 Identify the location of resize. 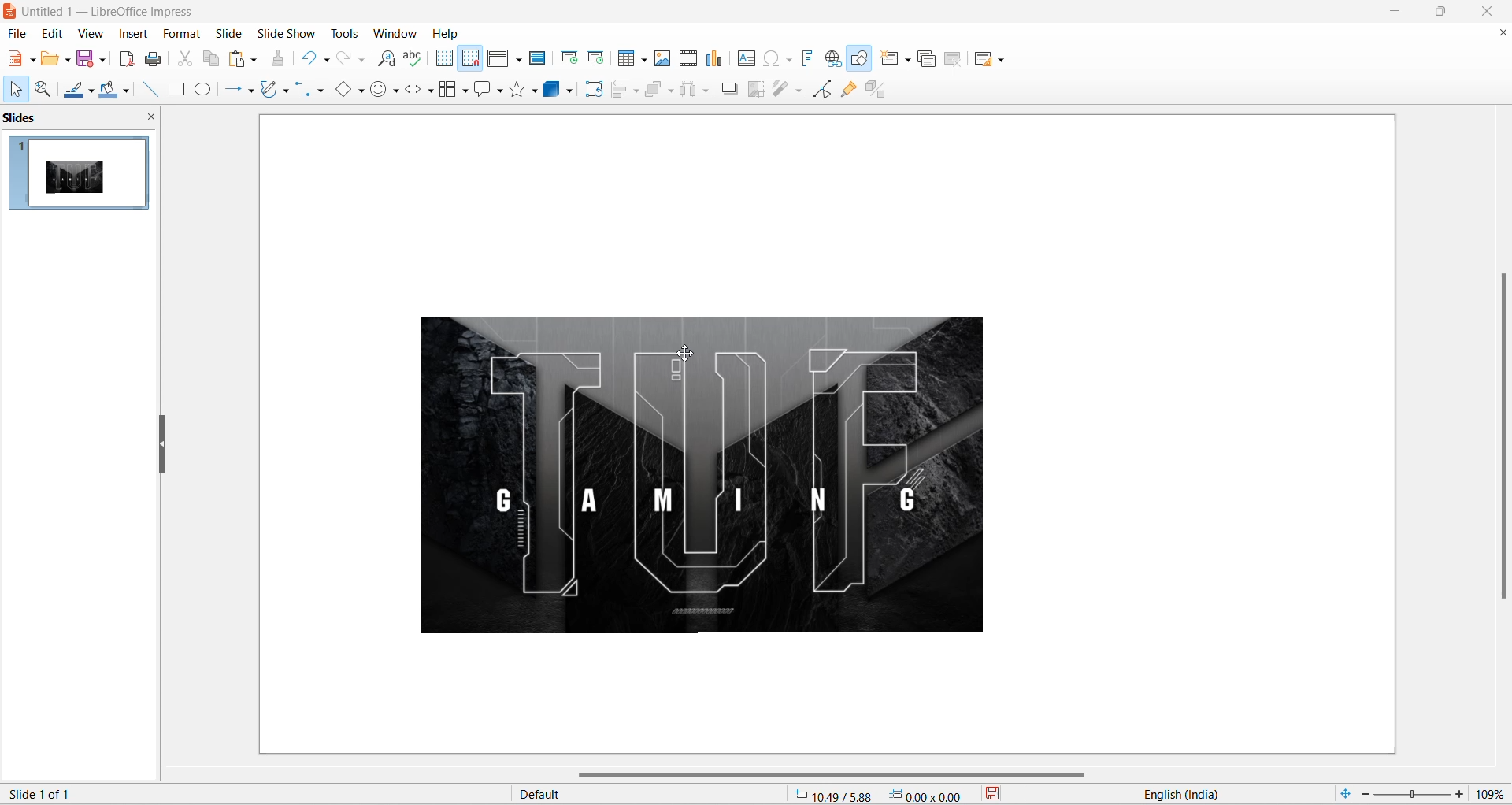
(162, 446).